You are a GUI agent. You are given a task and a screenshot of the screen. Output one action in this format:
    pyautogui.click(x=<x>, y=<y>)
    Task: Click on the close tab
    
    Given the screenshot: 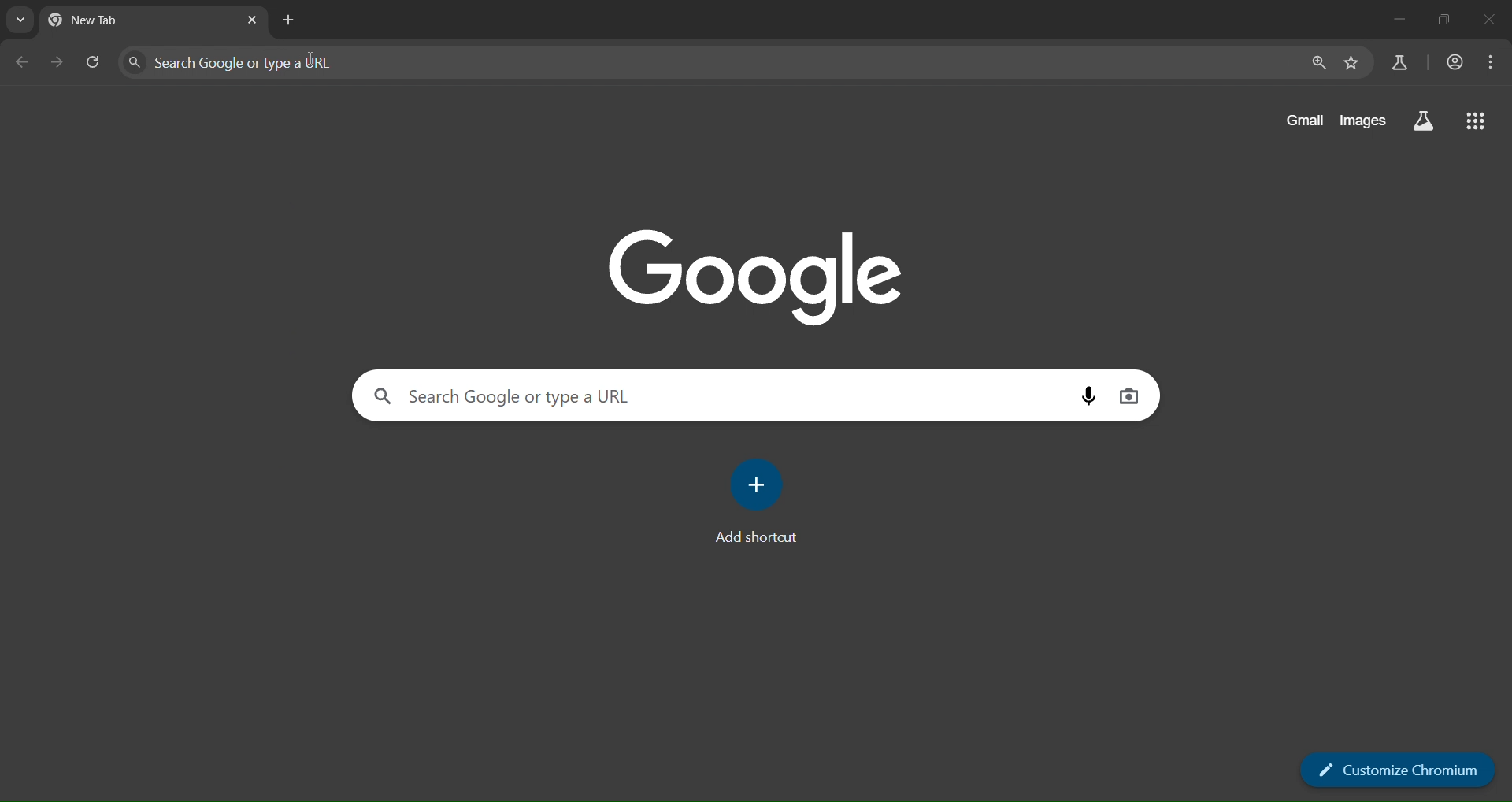 What is the action you would take?
    pyautogui.click(x=252, y=20)
    